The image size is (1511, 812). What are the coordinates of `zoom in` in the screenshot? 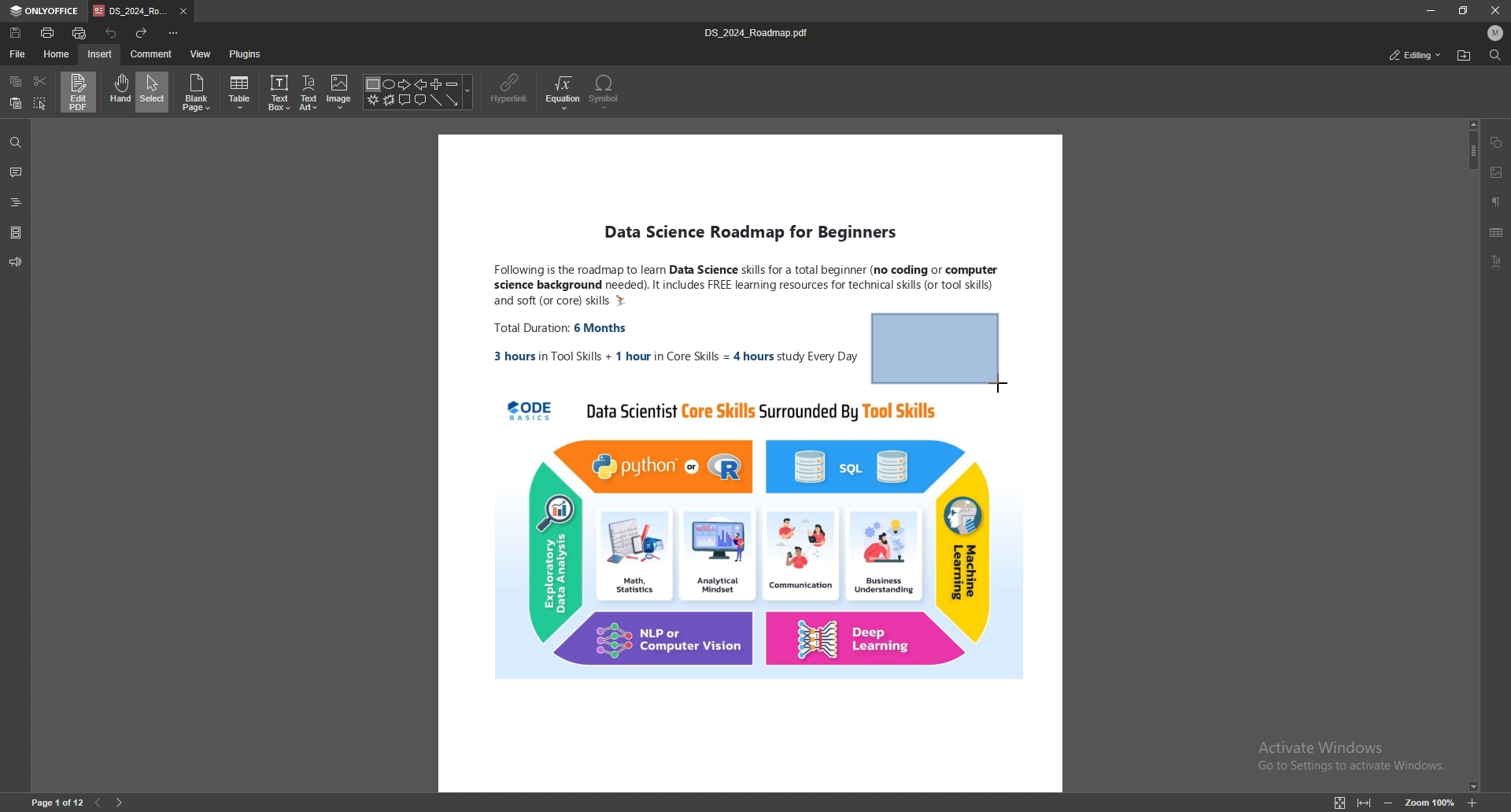 It's located at (1472, 803).